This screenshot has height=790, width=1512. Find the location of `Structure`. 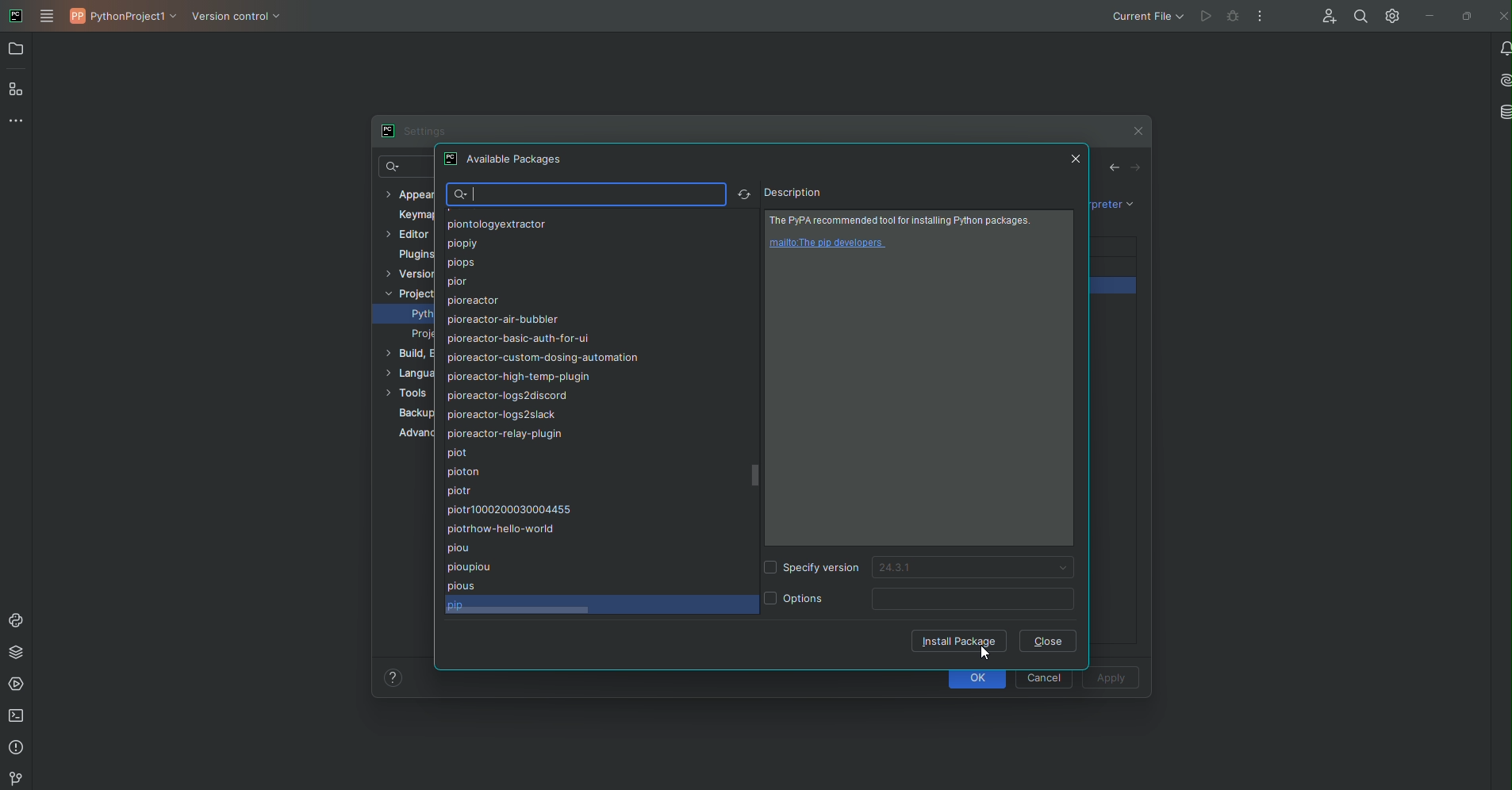

Structure is located at coordinates (18, 90).